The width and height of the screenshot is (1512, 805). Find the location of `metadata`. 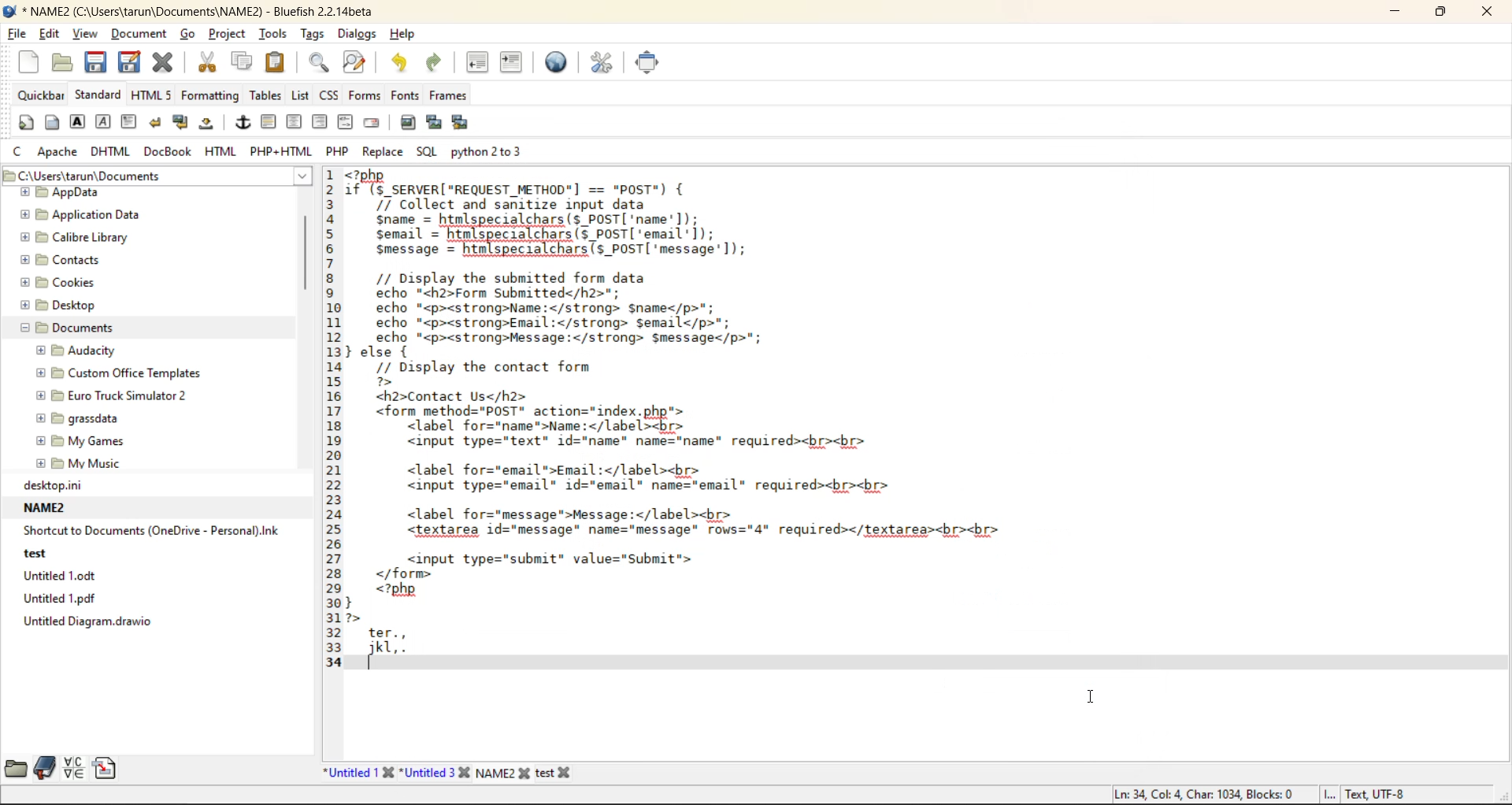

metadata is located at coordinates (1259, 793).